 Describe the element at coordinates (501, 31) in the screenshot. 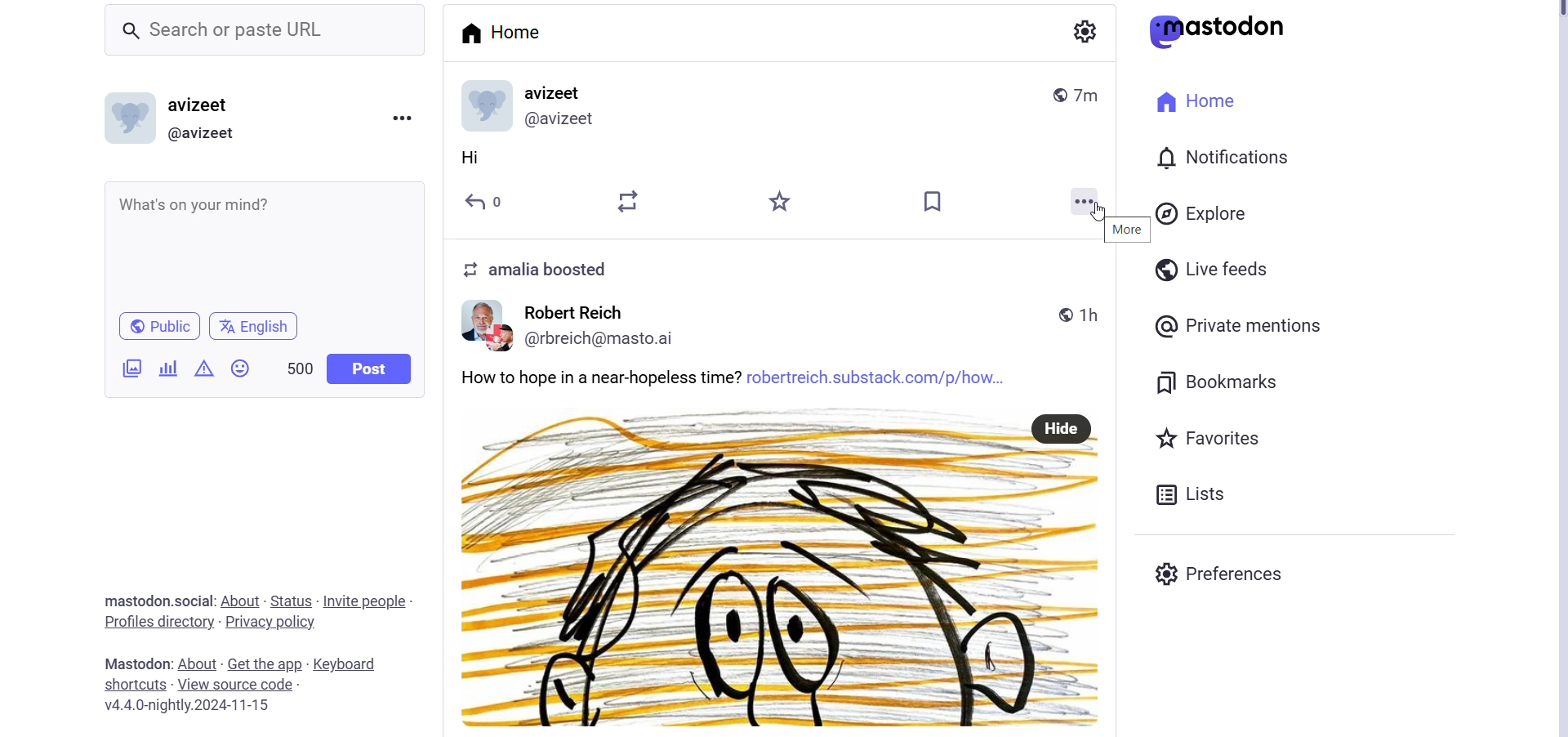

I see `Home` at that location.